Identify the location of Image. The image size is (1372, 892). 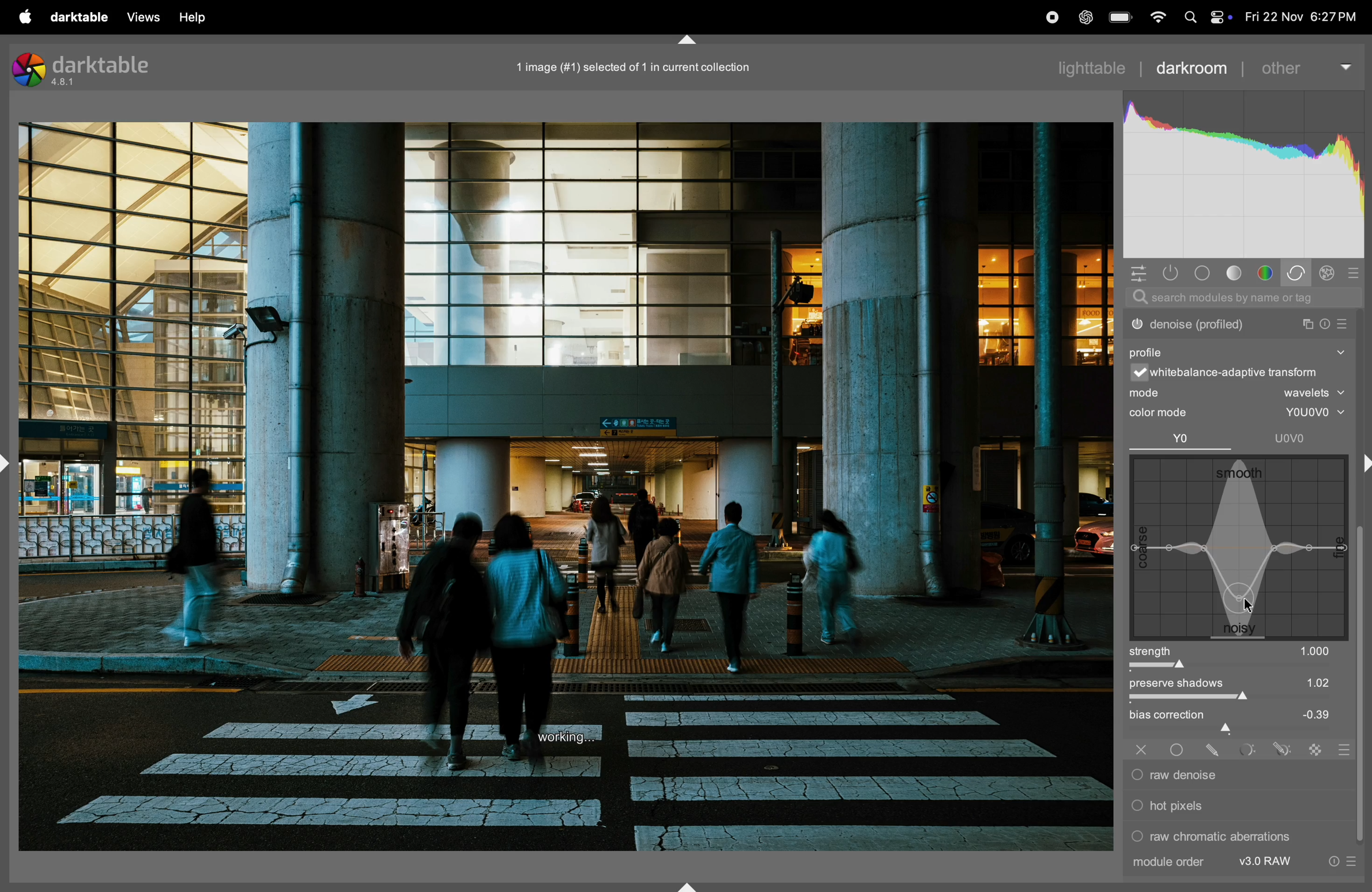
(566, 487).